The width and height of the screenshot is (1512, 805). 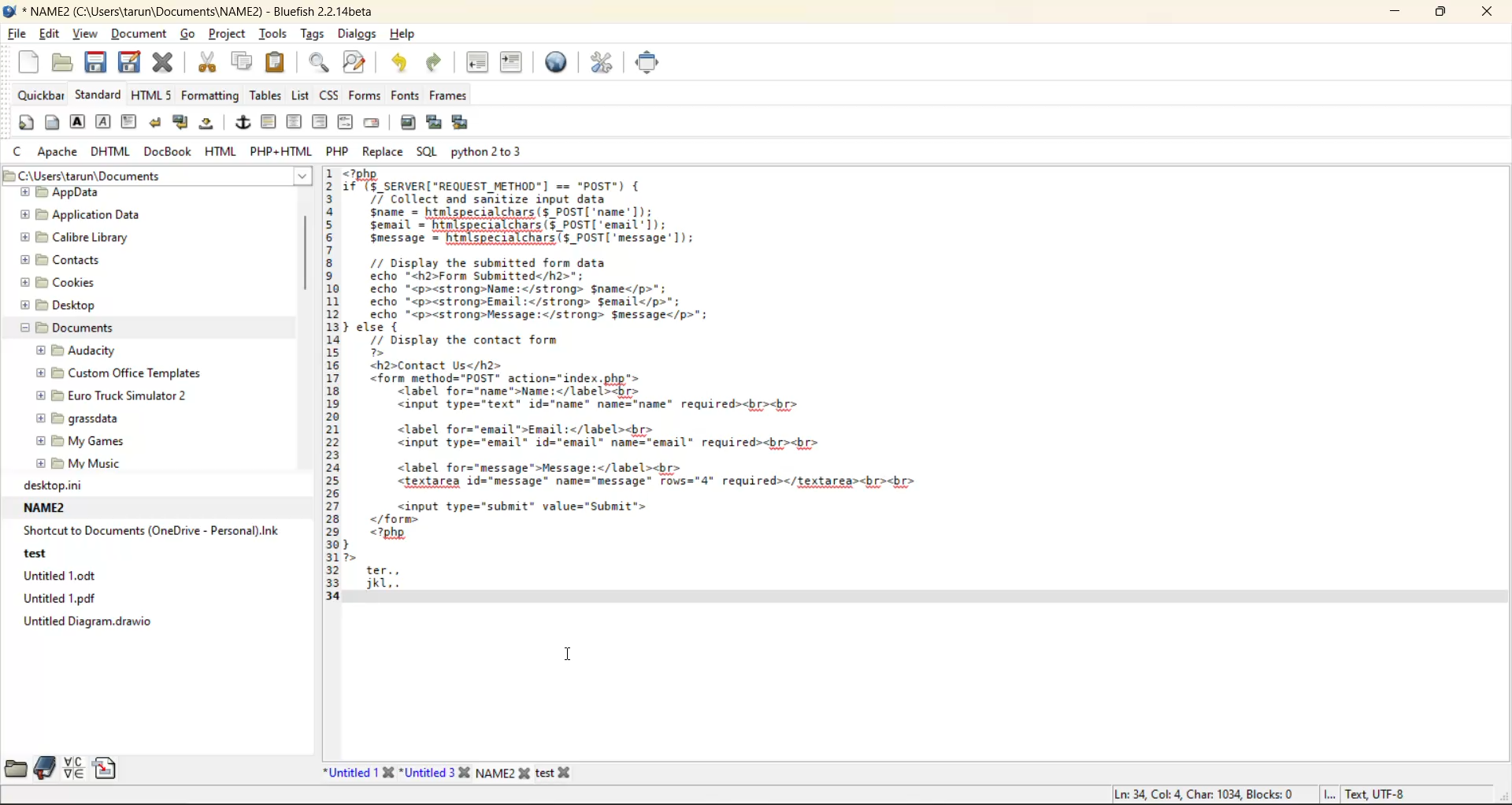 What do you see at coordinates (168, 153) in the screenshot?
I see `docbook` at bounding box center [168, 153].